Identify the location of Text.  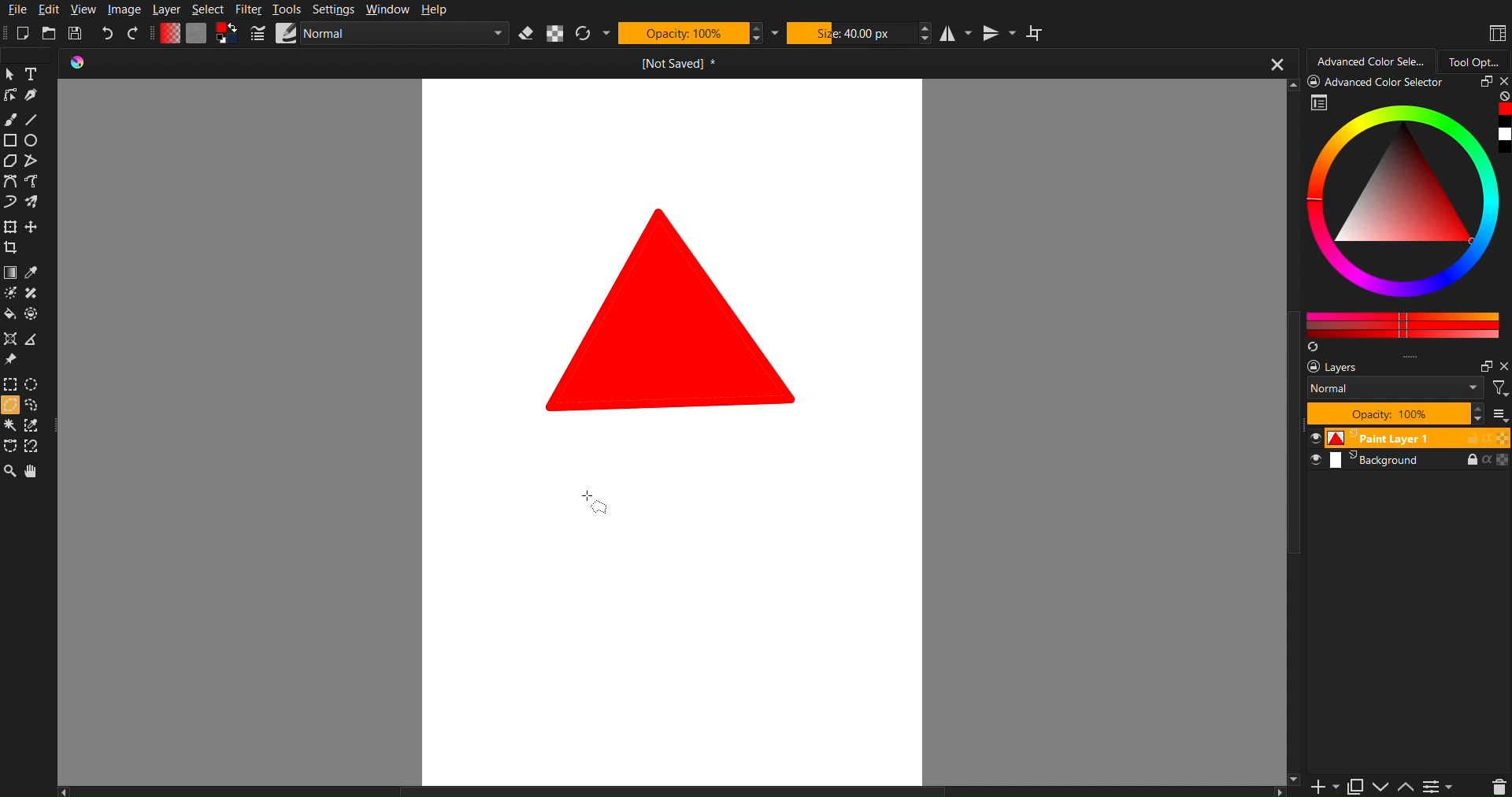
(31, 74).